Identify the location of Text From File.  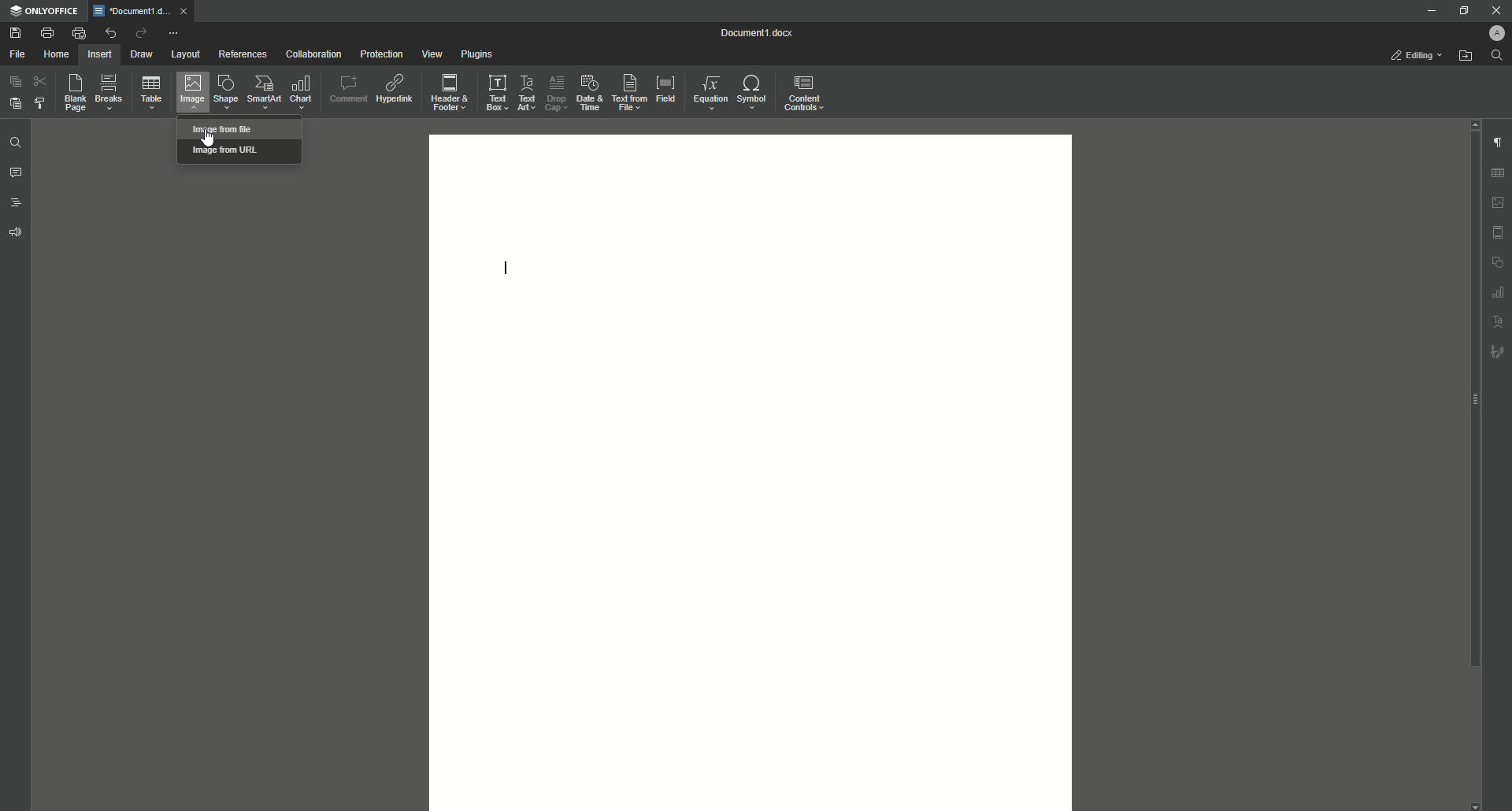
(628, 92).